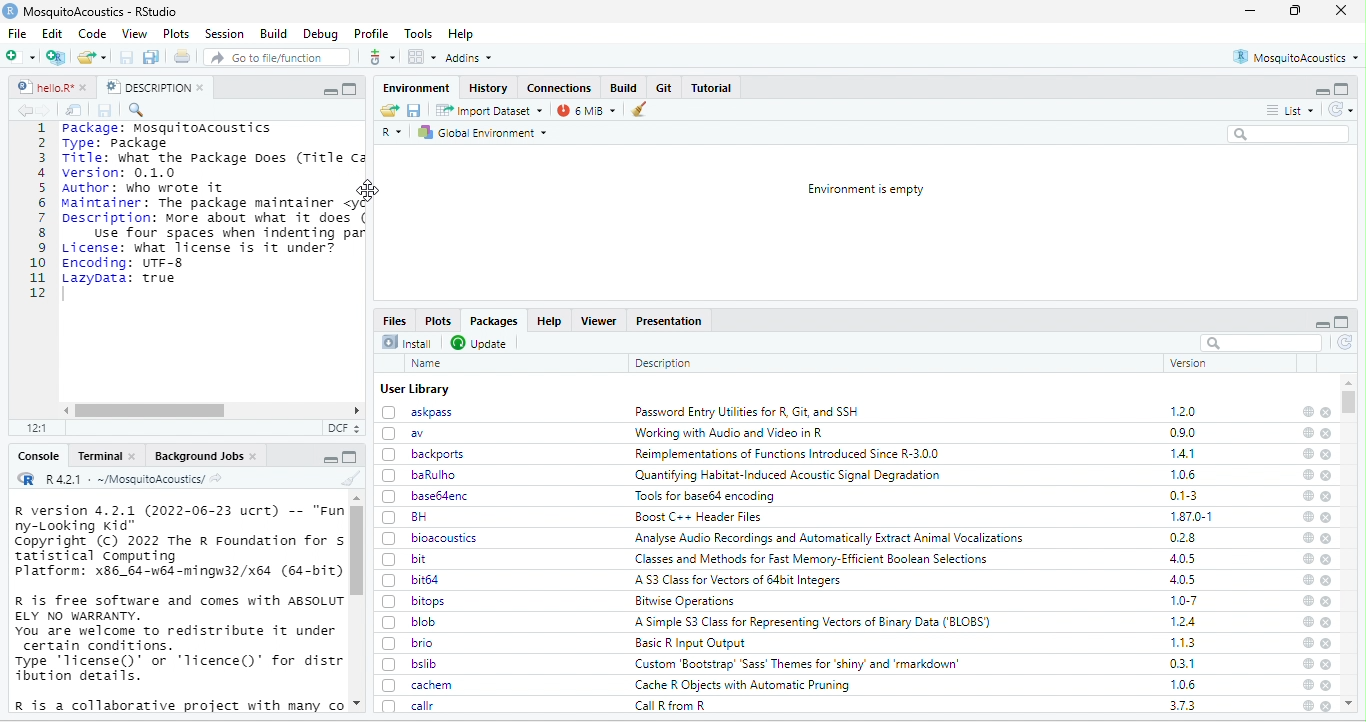  What do you see at coordinates (438, 320) in the screenshot?
I see `Plots` at bounding box center [438, 320].